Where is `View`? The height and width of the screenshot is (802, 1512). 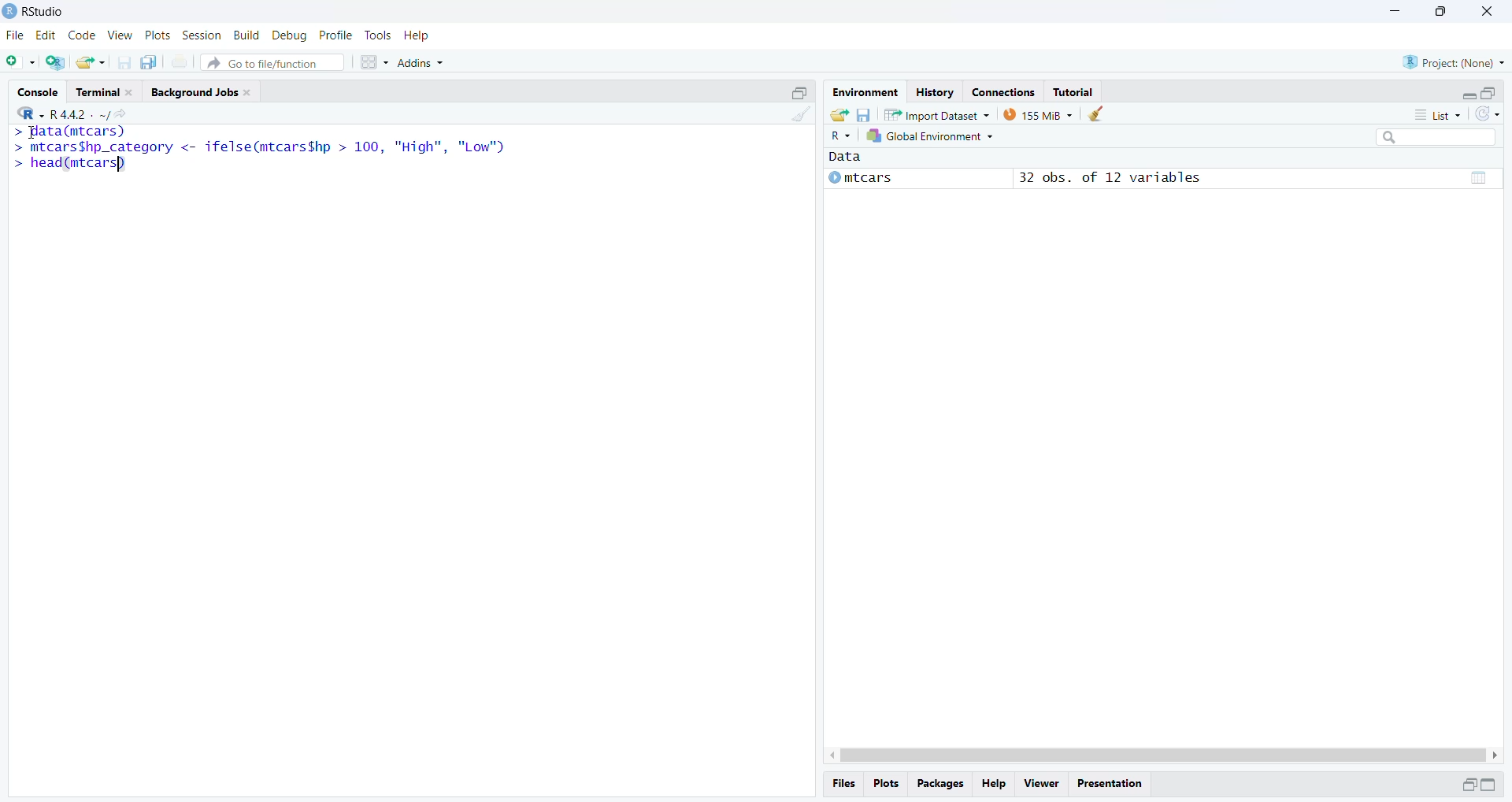 View is located at coordinates (1040, 782).